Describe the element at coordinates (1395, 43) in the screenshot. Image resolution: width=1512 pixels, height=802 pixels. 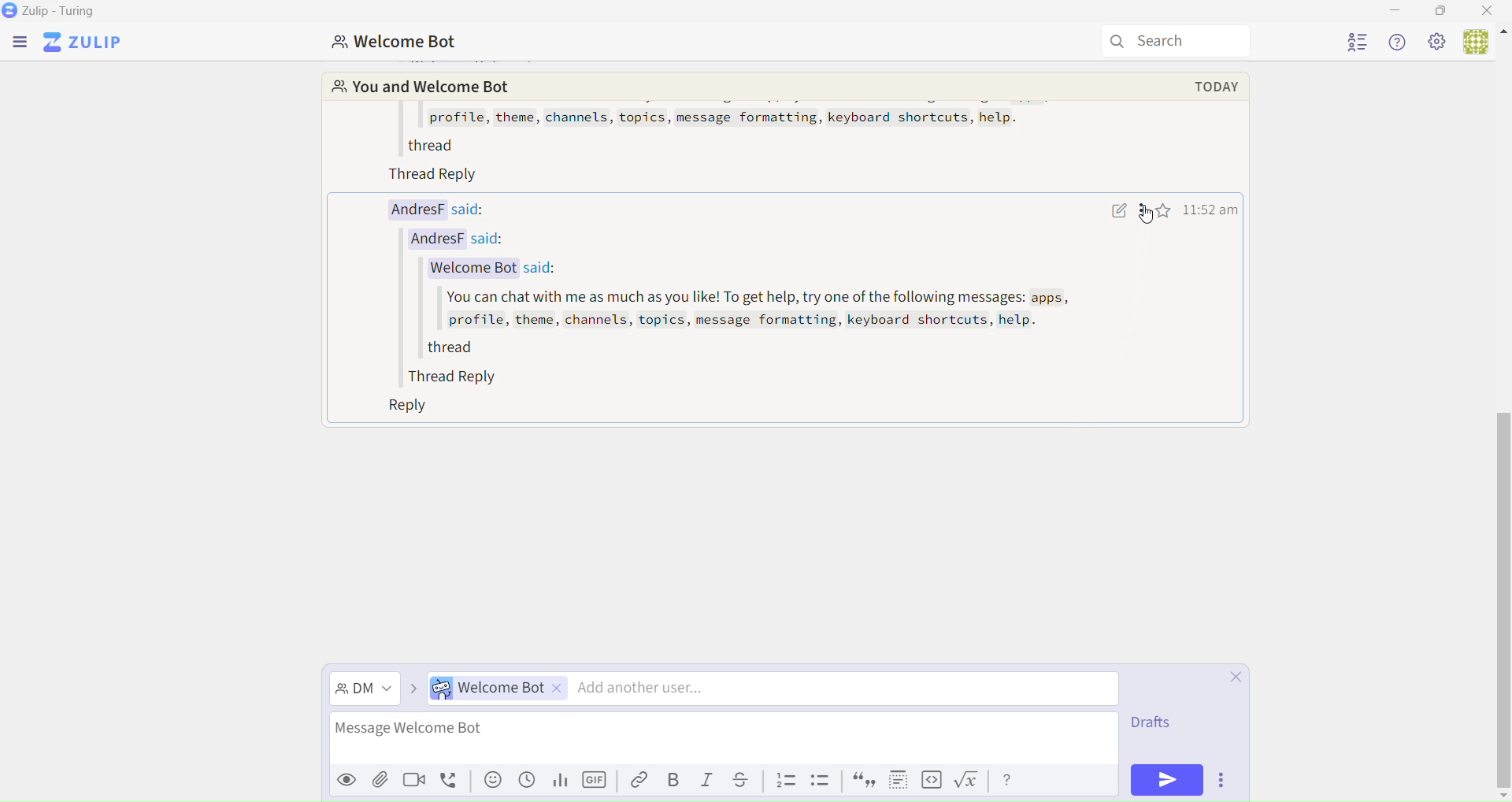
I see `Help` at that location.